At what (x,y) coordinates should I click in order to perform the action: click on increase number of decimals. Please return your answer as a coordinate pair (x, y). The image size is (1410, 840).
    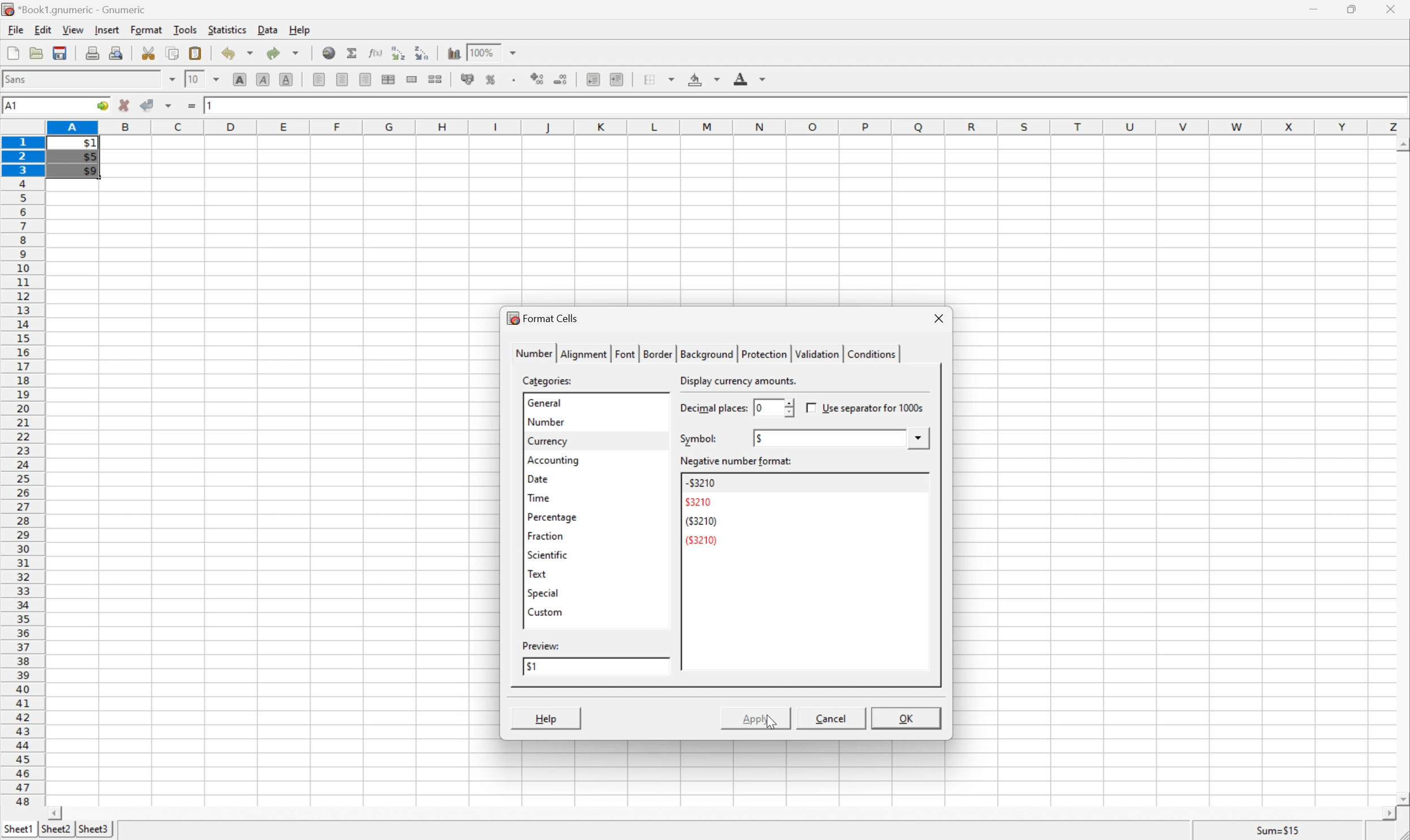
    Looking at the image, I should click on (538, 79).